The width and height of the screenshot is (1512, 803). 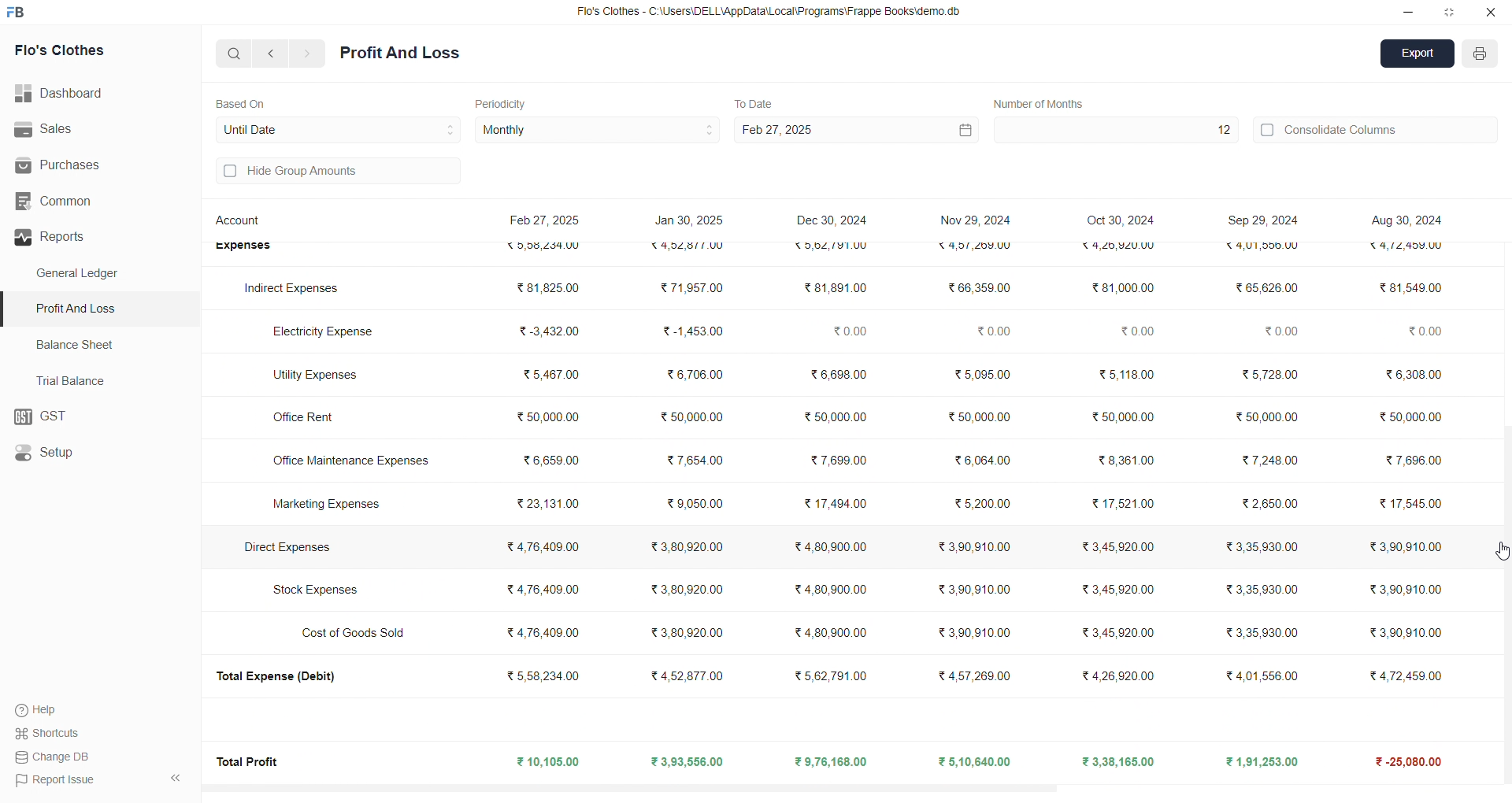 I want to click on 12, so click(x=1114, y=130).